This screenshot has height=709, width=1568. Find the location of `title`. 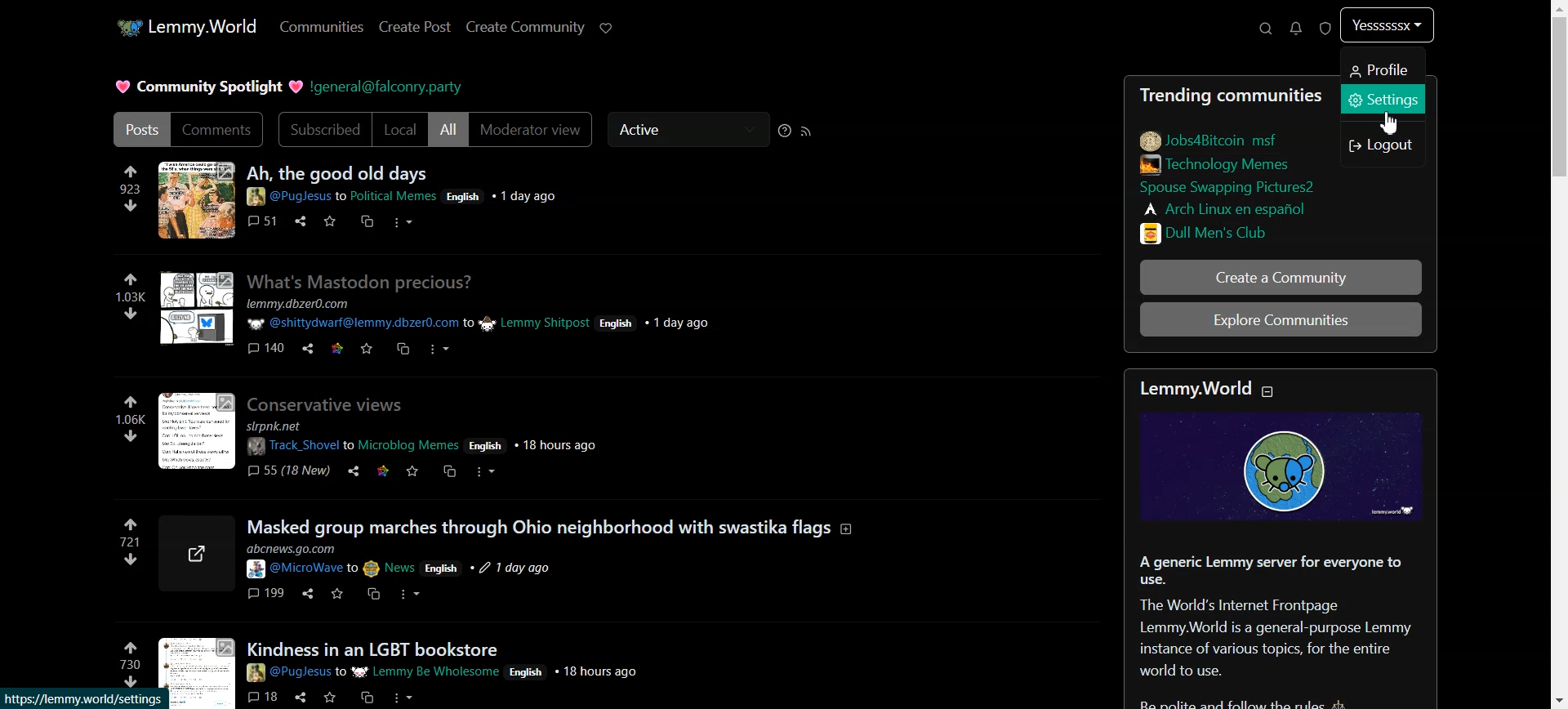

title is located at coordinates (1221, 389).